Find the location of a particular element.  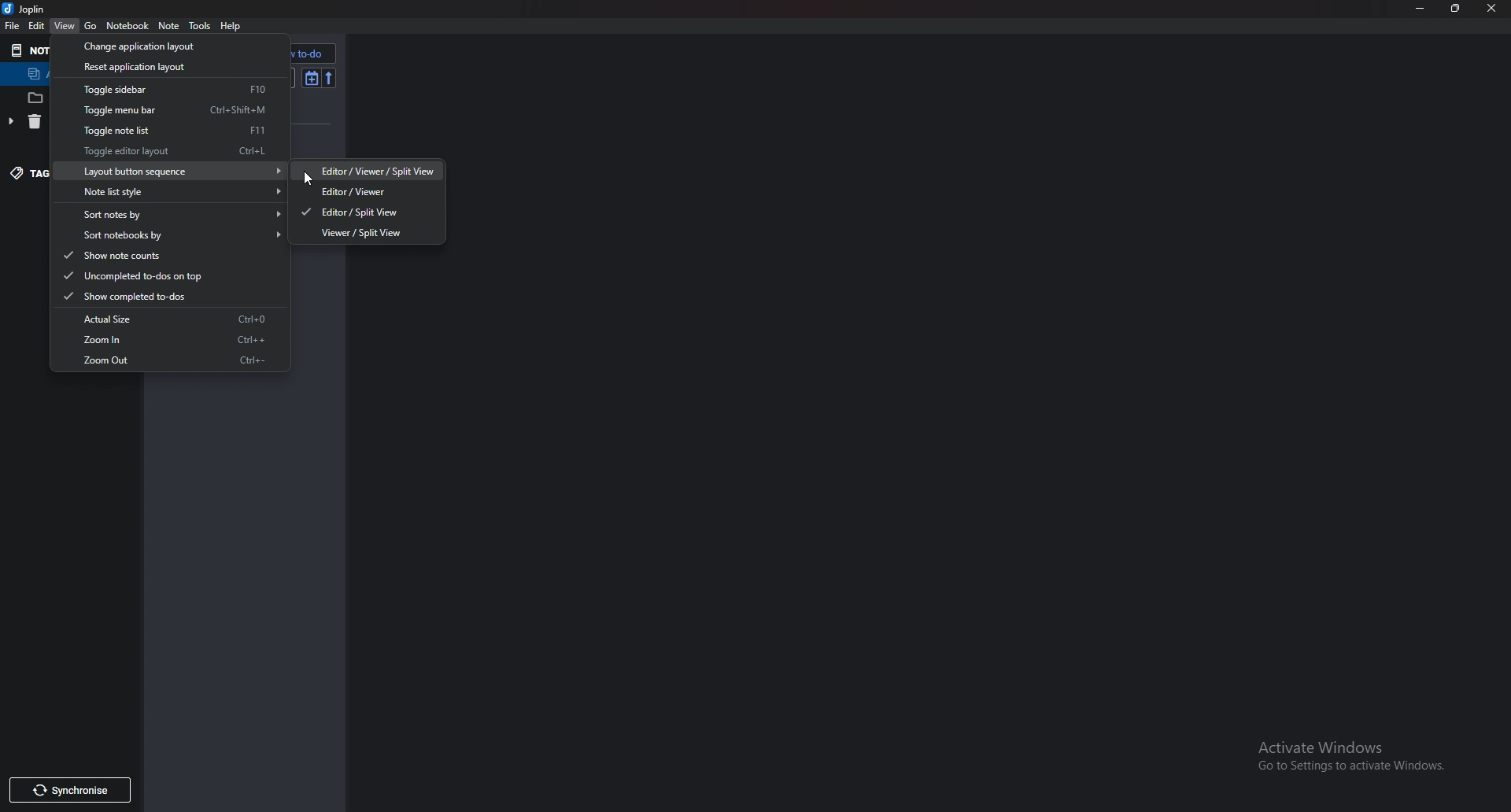

Change application layout is located at coordinates (165, 46).